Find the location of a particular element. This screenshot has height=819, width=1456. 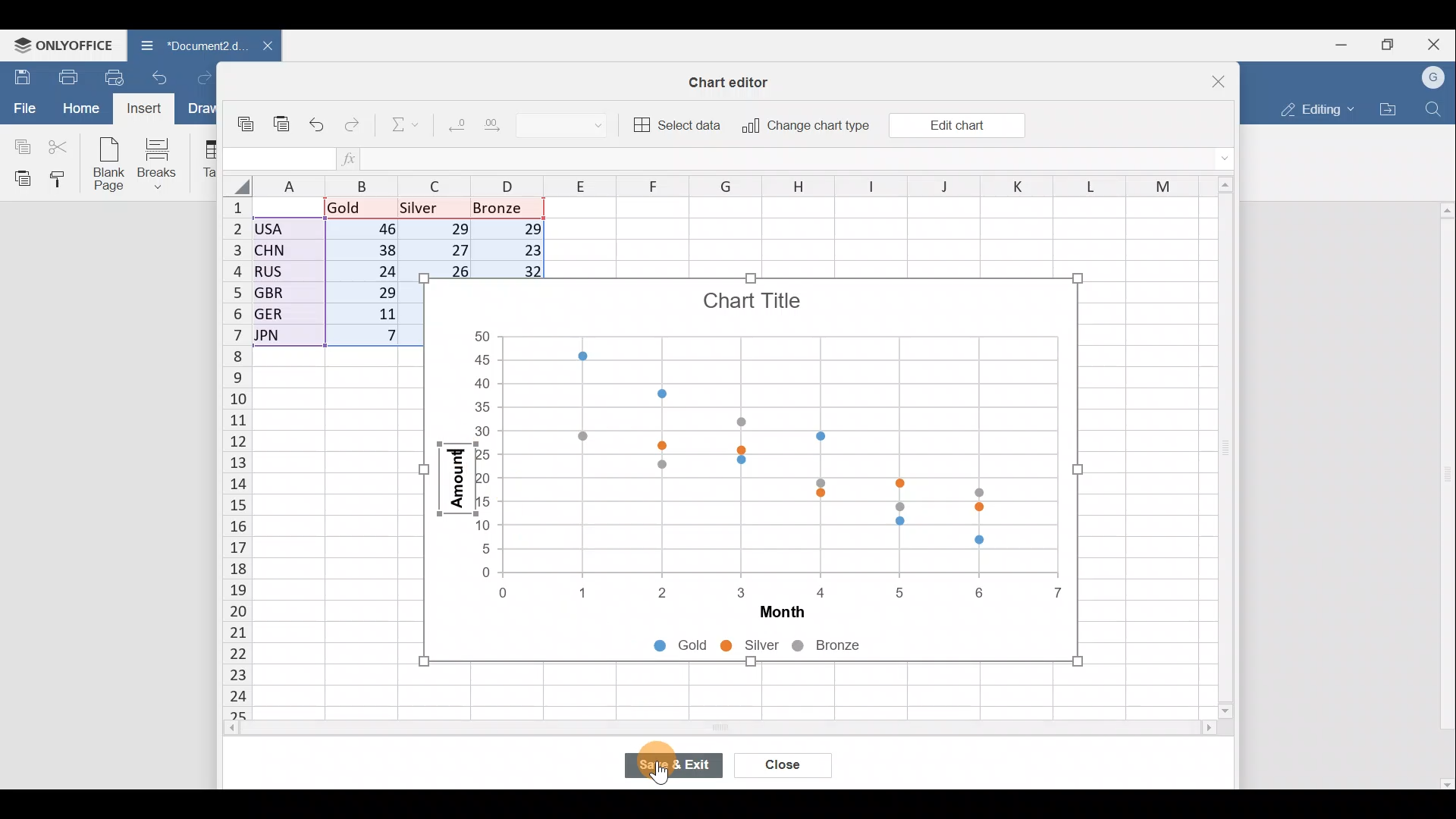

Undo is located at coordinates (318, 121).